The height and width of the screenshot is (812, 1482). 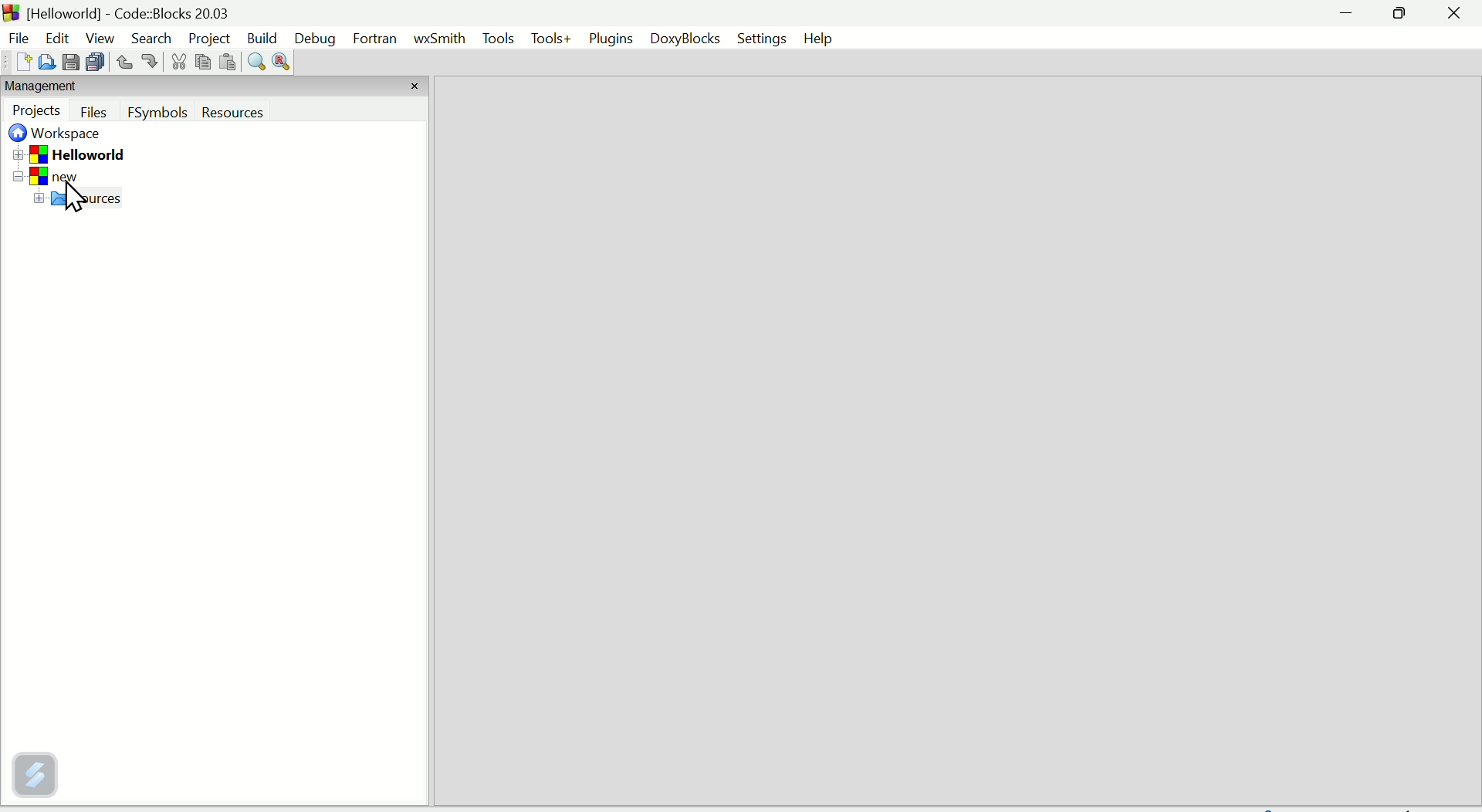 I want to click on , so click(x=499, y=41).